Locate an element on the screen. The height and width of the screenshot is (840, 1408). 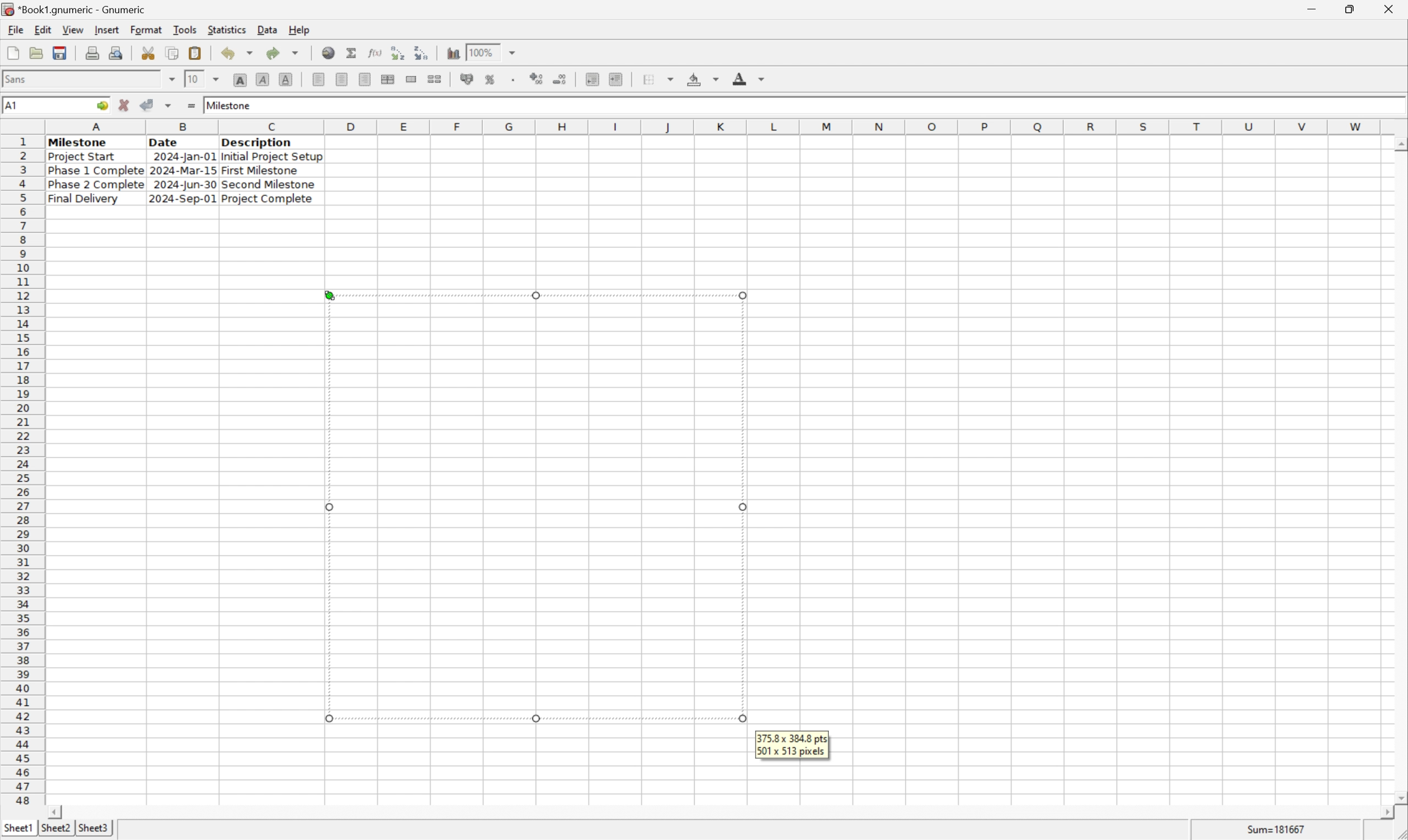
restore down is located at coordinates (1354, 9).